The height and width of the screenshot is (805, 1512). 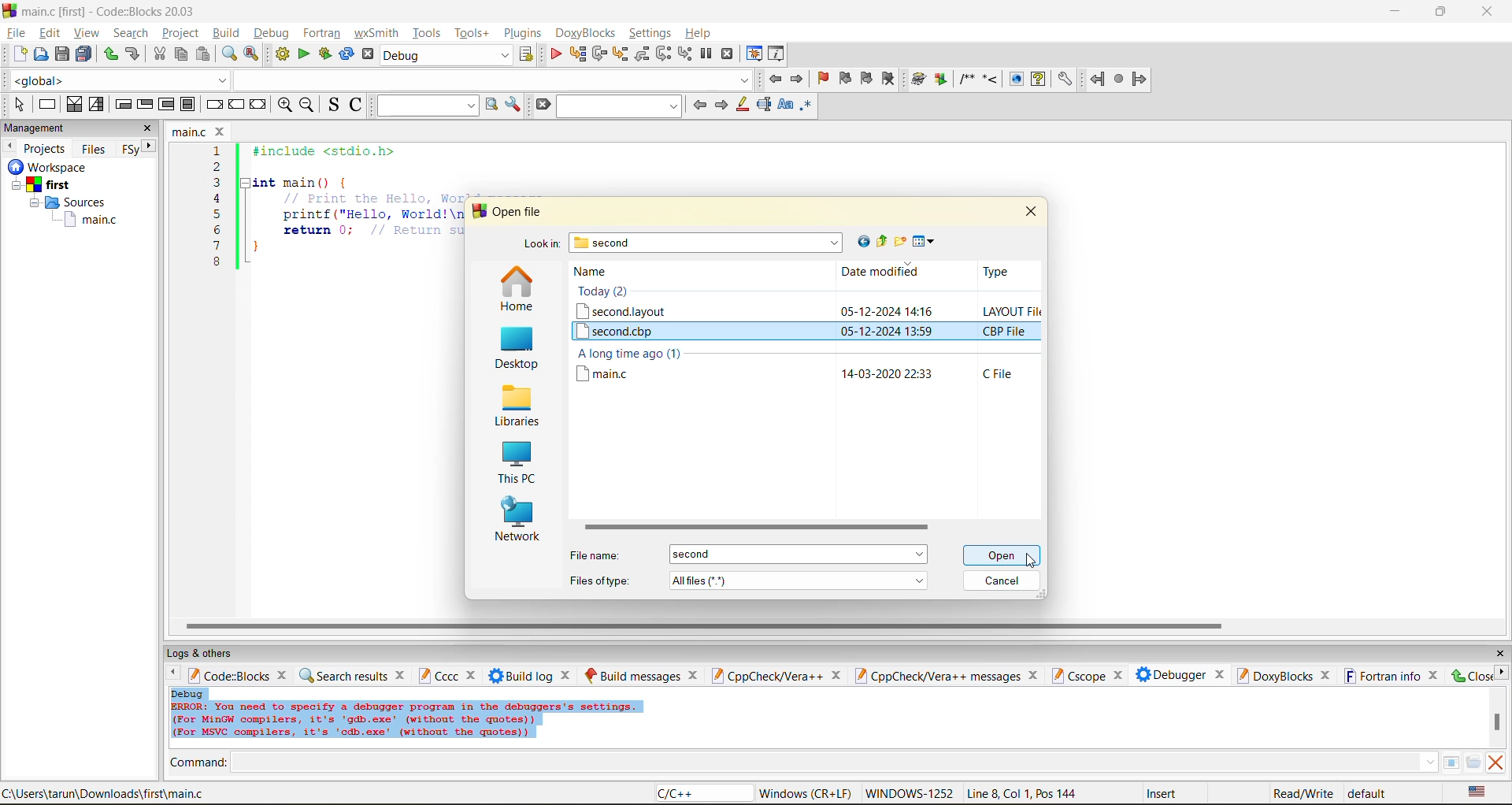 I want to click on Windows (CR+LF), so click(x=807, y=793).